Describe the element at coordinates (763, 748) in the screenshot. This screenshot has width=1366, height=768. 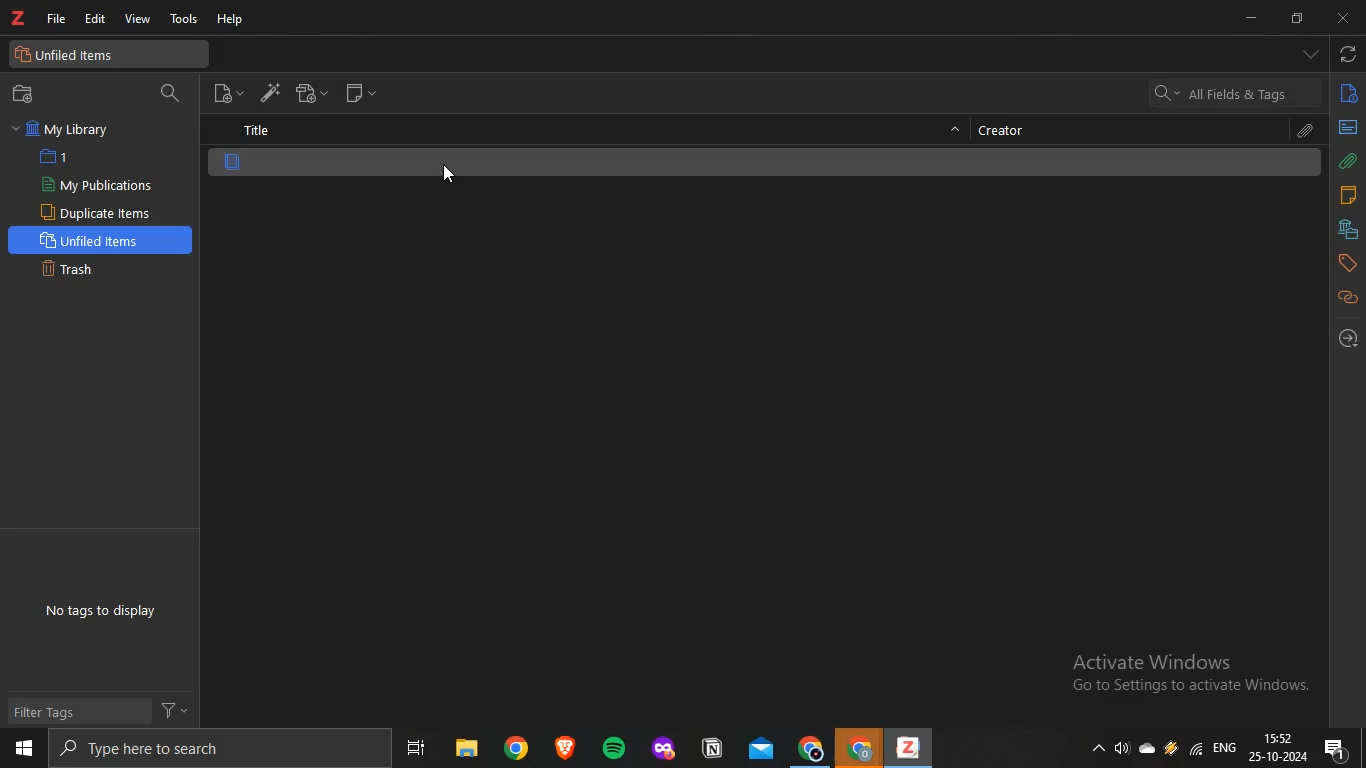
I see `mail` at that location.